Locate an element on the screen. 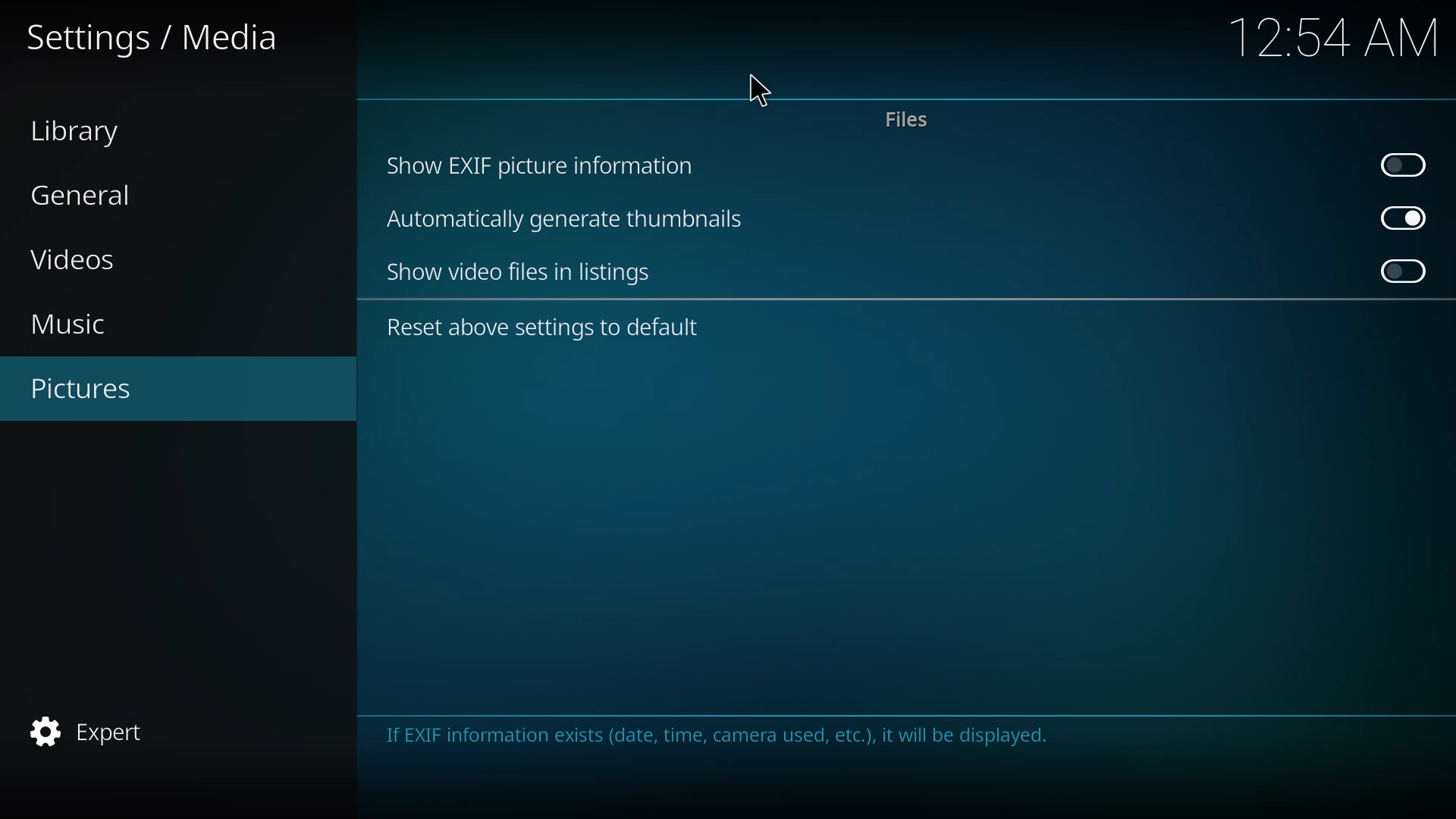 Image resolution: width=1456 pixels, height=819 pixels. settings media is located at coordinates (156, 38).